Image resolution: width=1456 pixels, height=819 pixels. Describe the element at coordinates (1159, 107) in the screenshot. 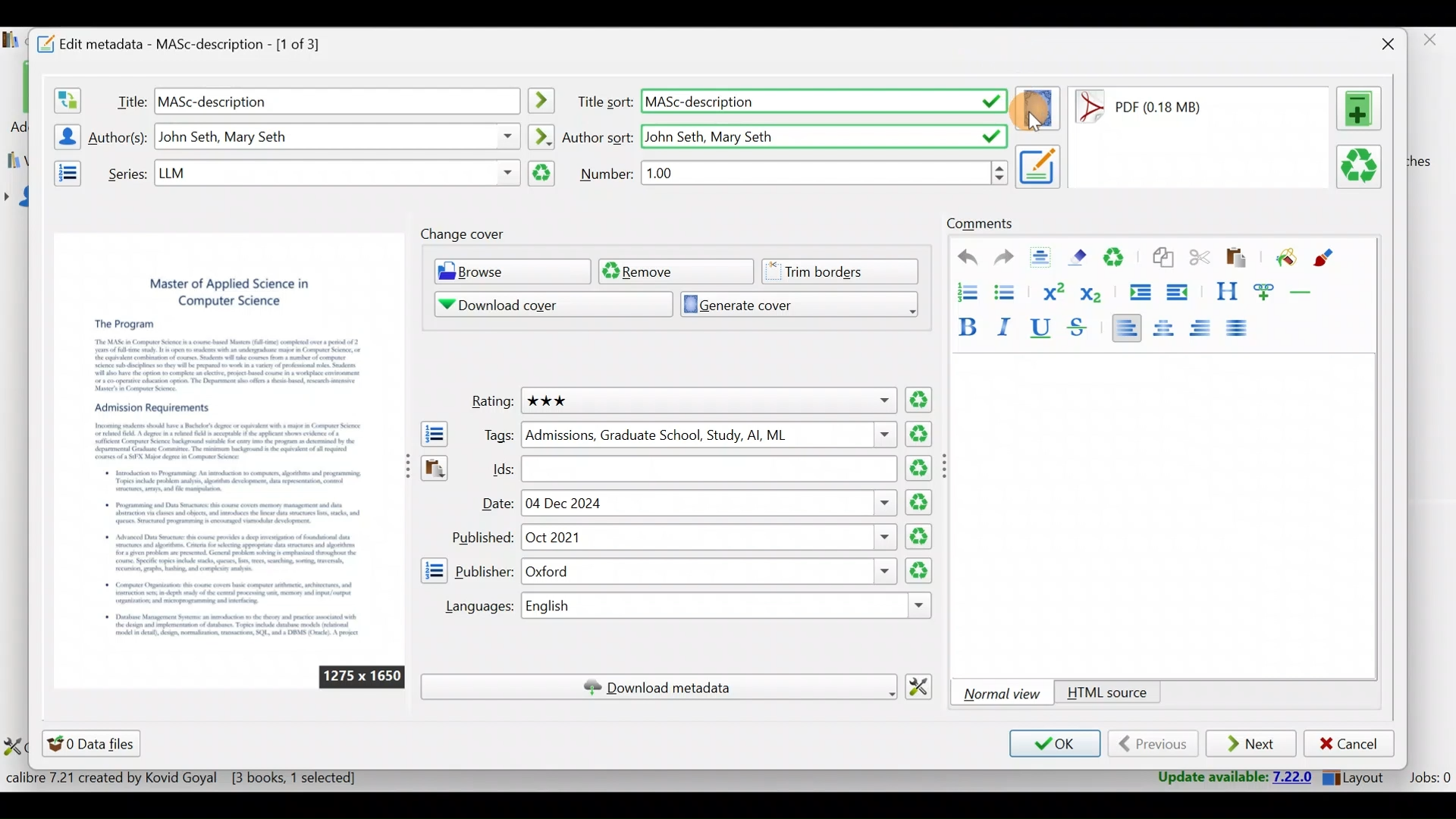

I see `Last modified` at that location.